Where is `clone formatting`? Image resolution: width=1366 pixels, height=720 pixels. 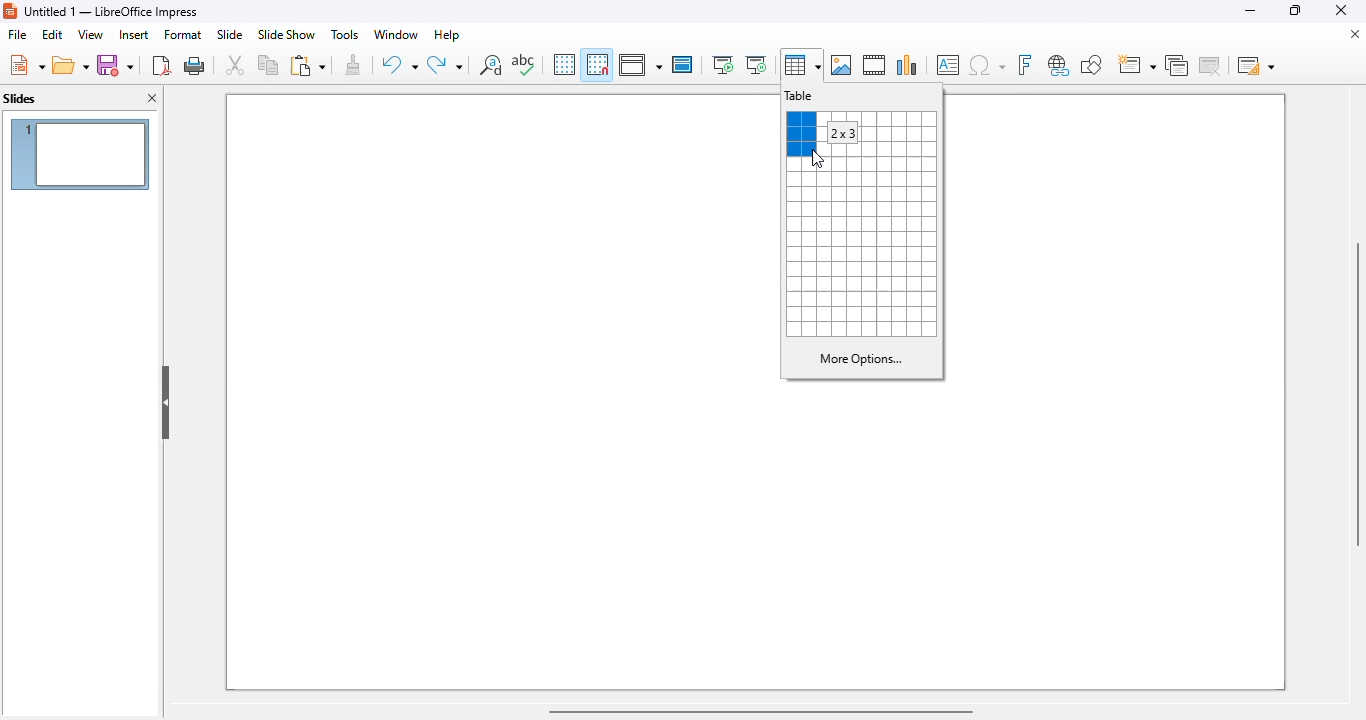 clone formatting is located at coordinates (353, 64).